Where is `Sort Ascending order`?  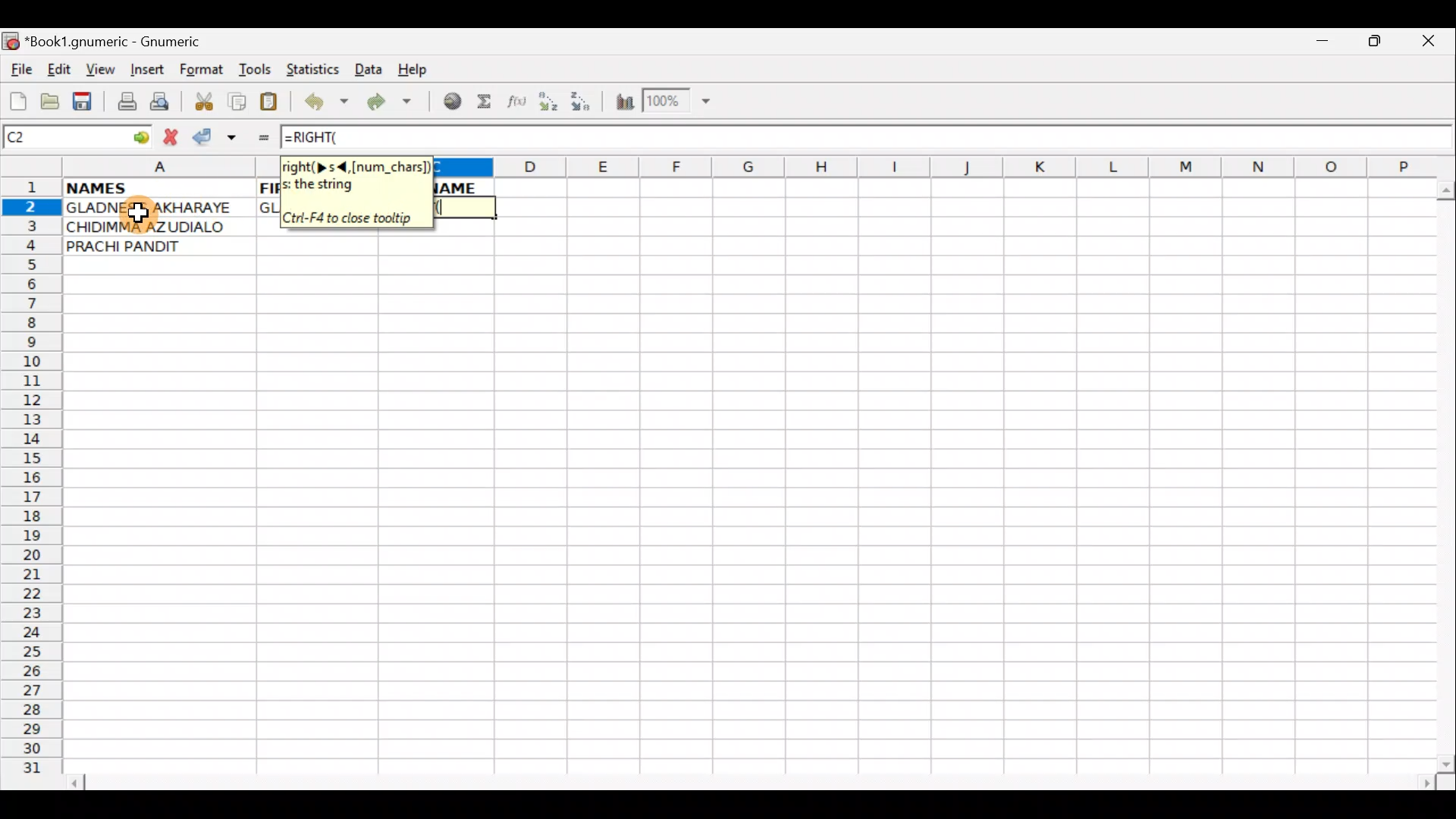
Sort Ascending order is located at coordinates (553, 105).